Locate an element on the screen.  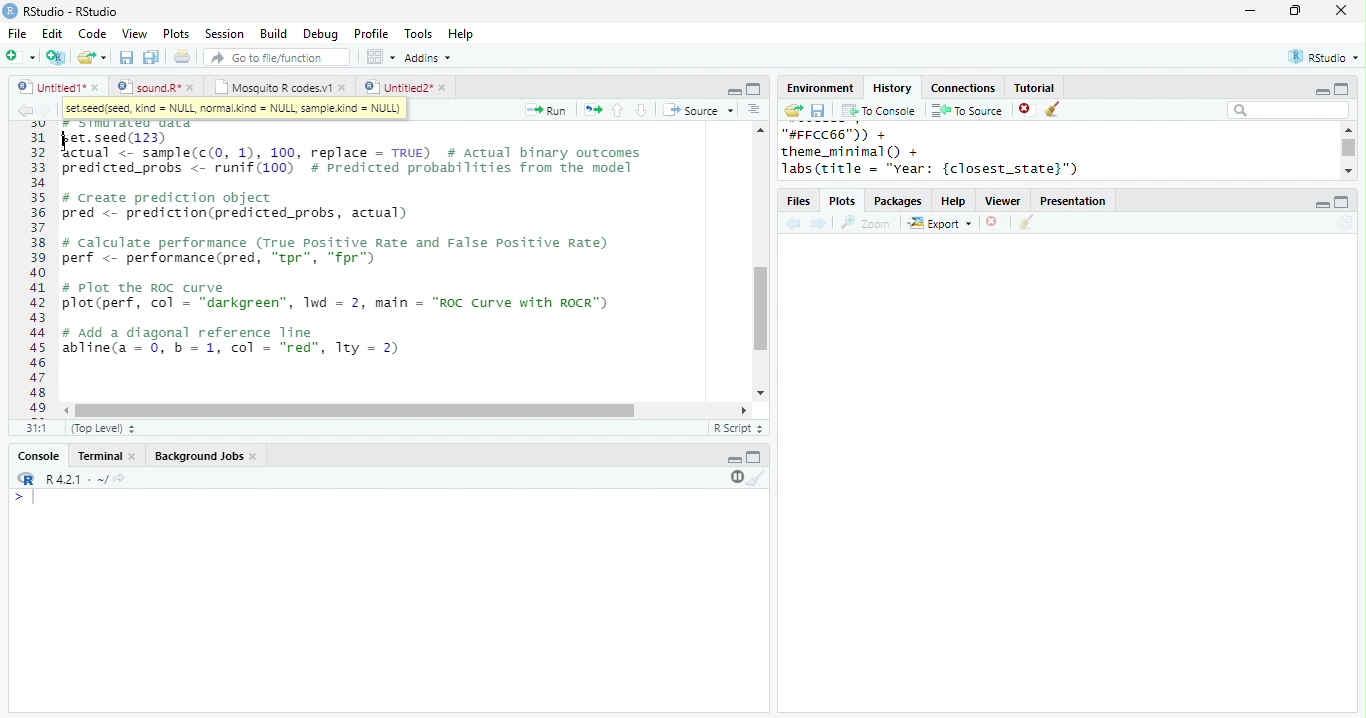
History is located at coordinates (892, 88).